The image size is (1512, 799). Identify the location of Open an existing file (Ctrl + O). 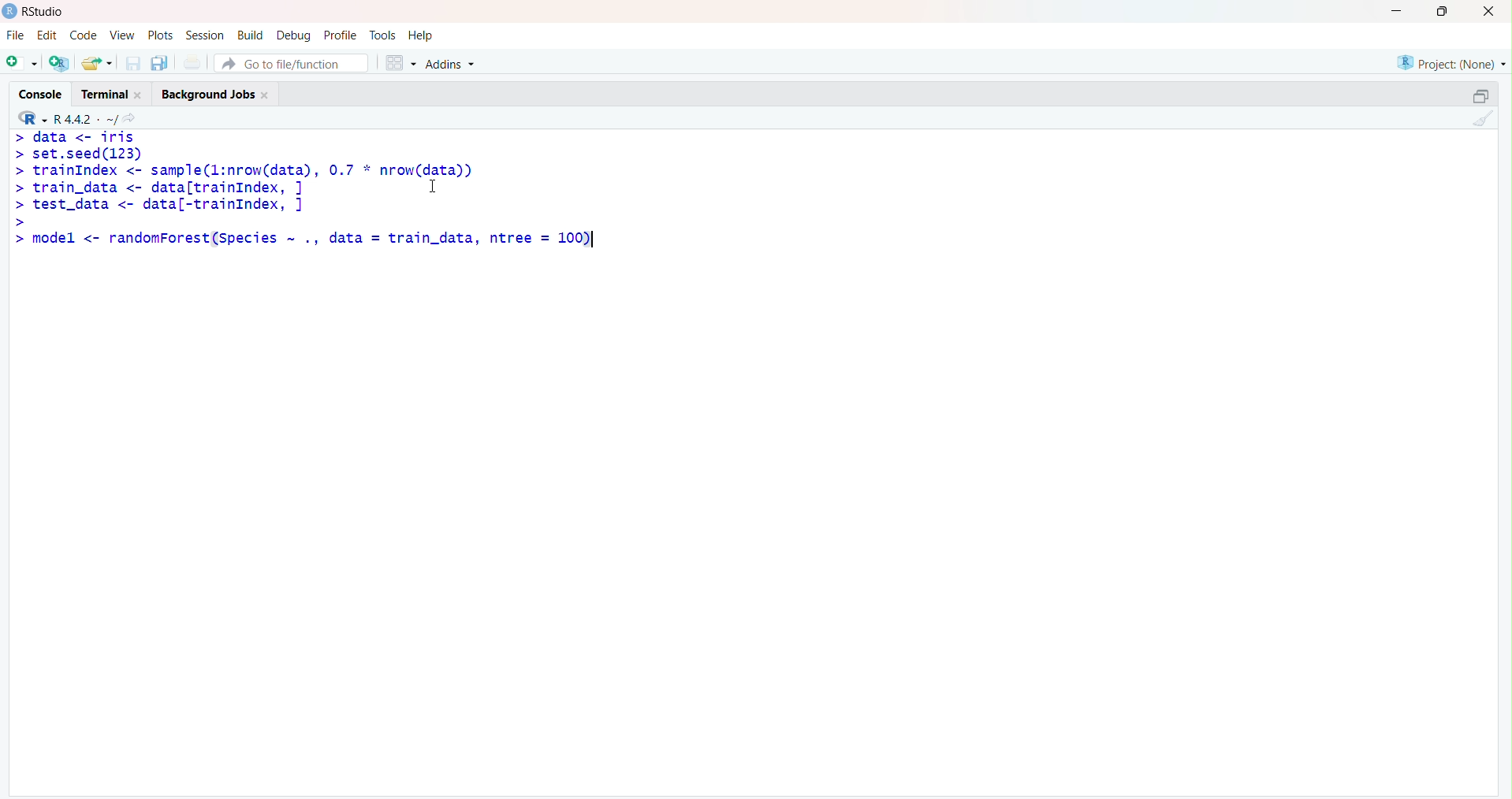
(99, 63).